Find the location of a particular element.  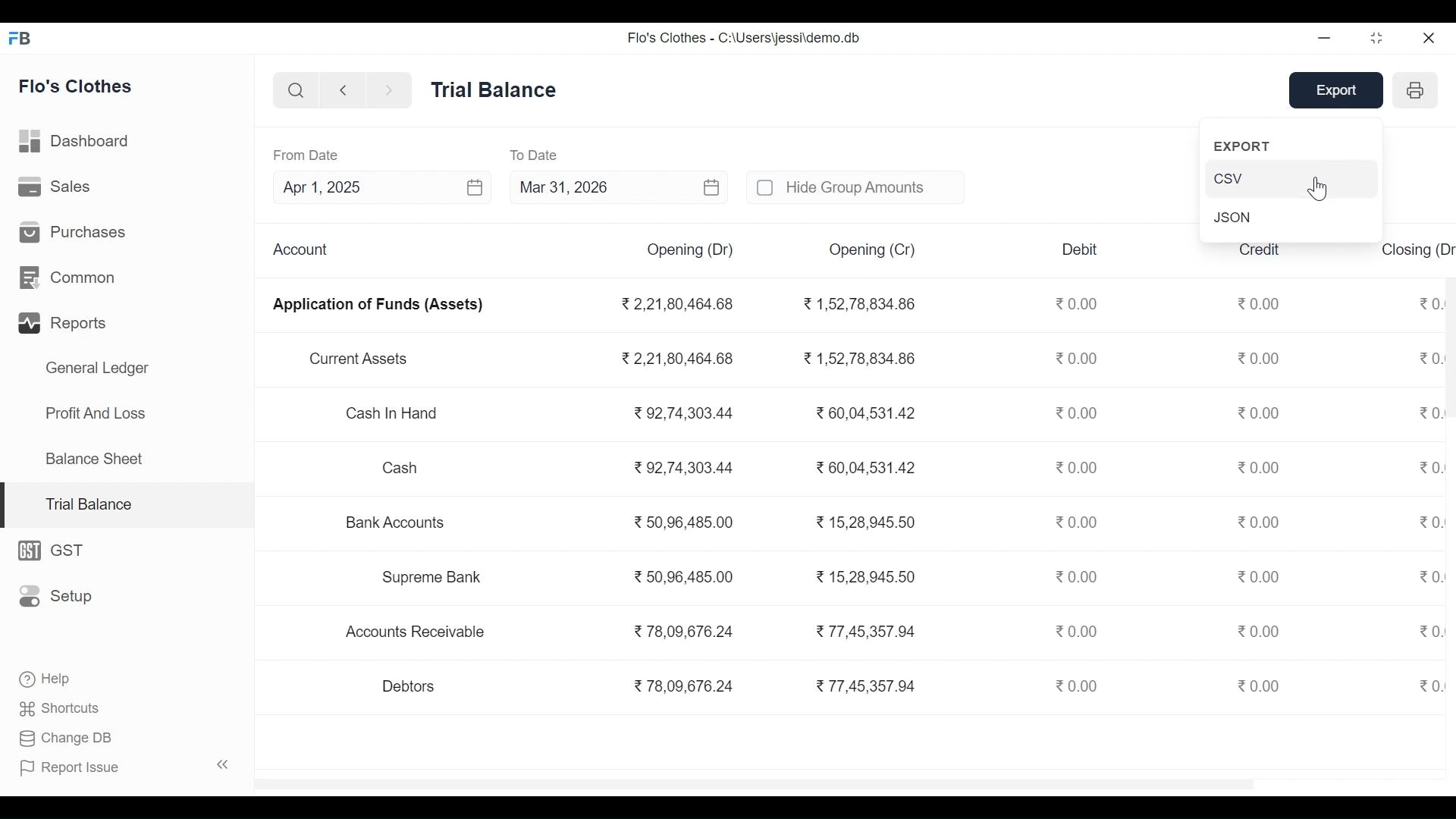

Report Issue is located at coordinates (124, 767).